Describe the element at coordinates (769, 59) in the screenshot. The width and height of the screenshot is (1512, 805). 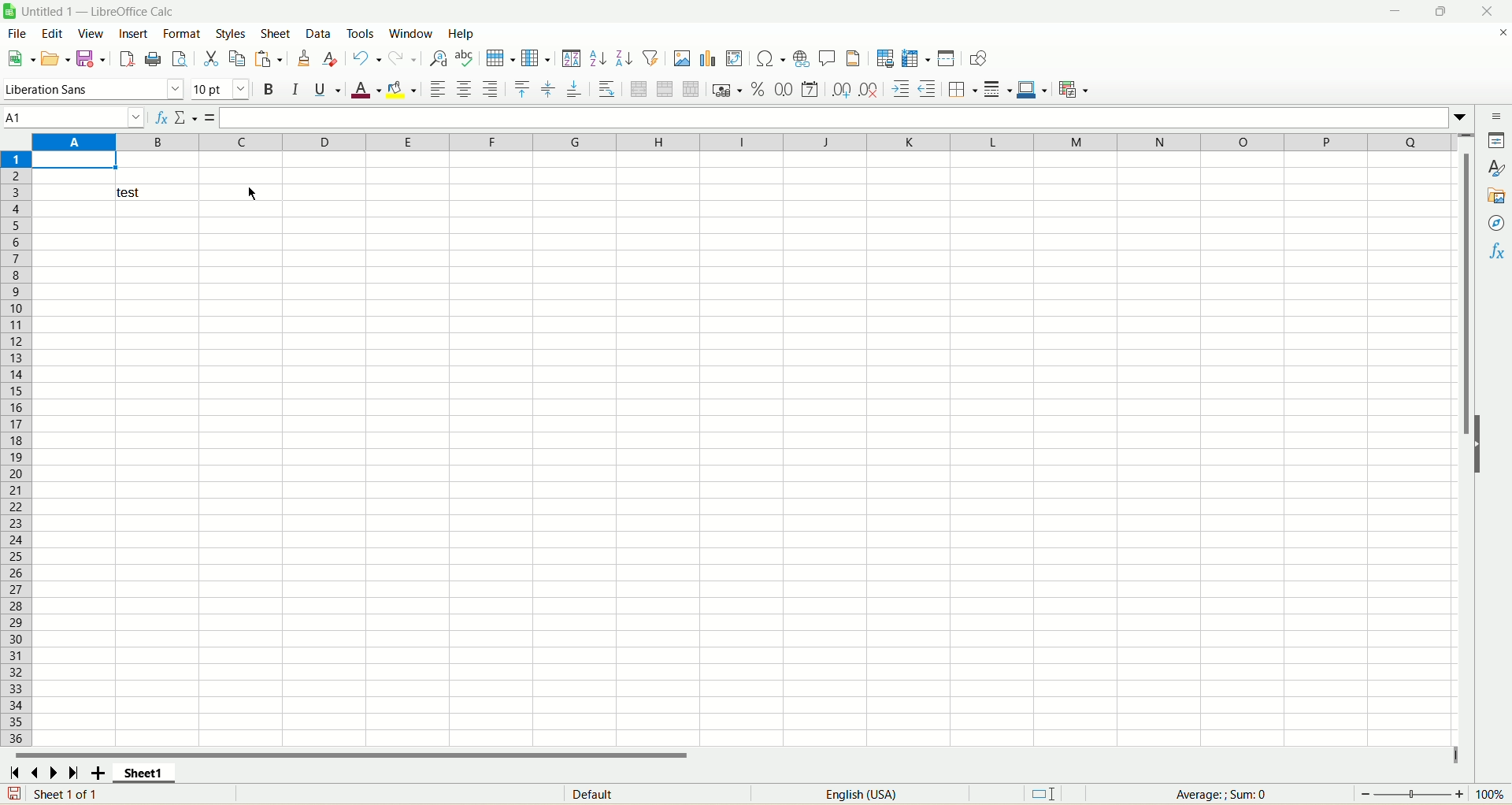
I see `insert symbol` at that location.